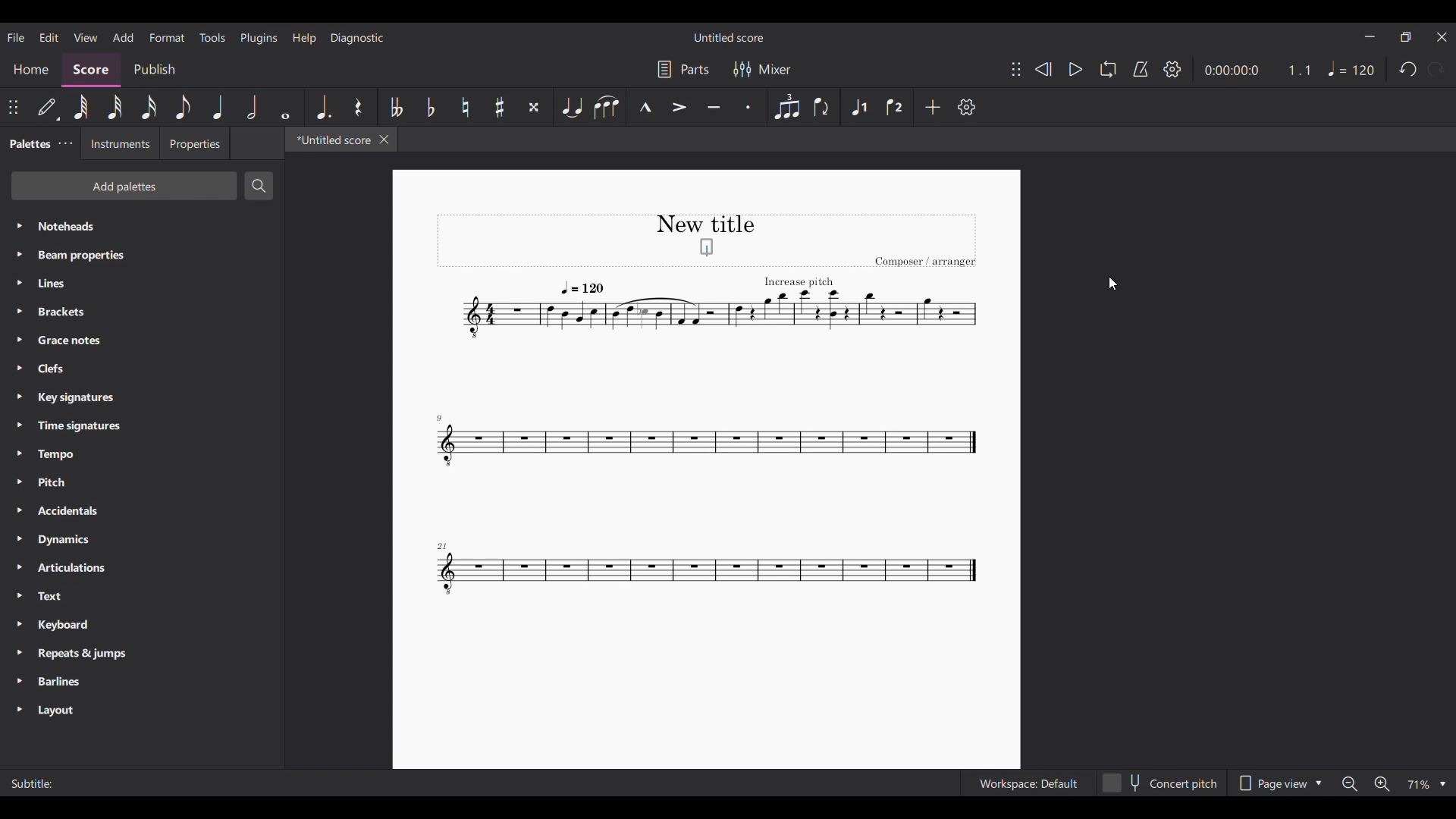 The image size is (1456, 819). I want to click on Untitled score, so click(730, 38).